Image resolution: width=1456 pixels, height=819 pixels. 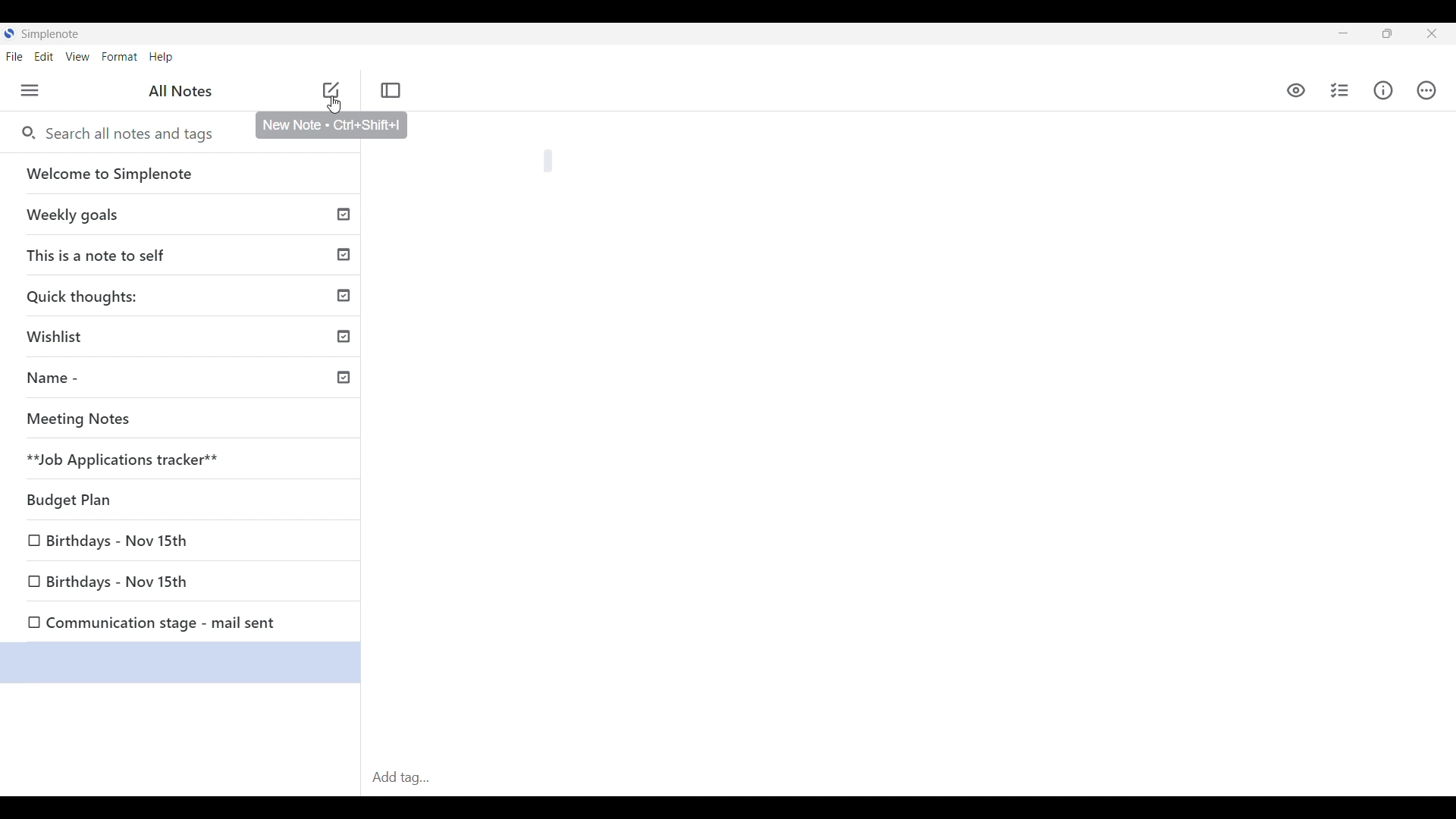 I want to click on Minimize, so click(x=1339, y=33).